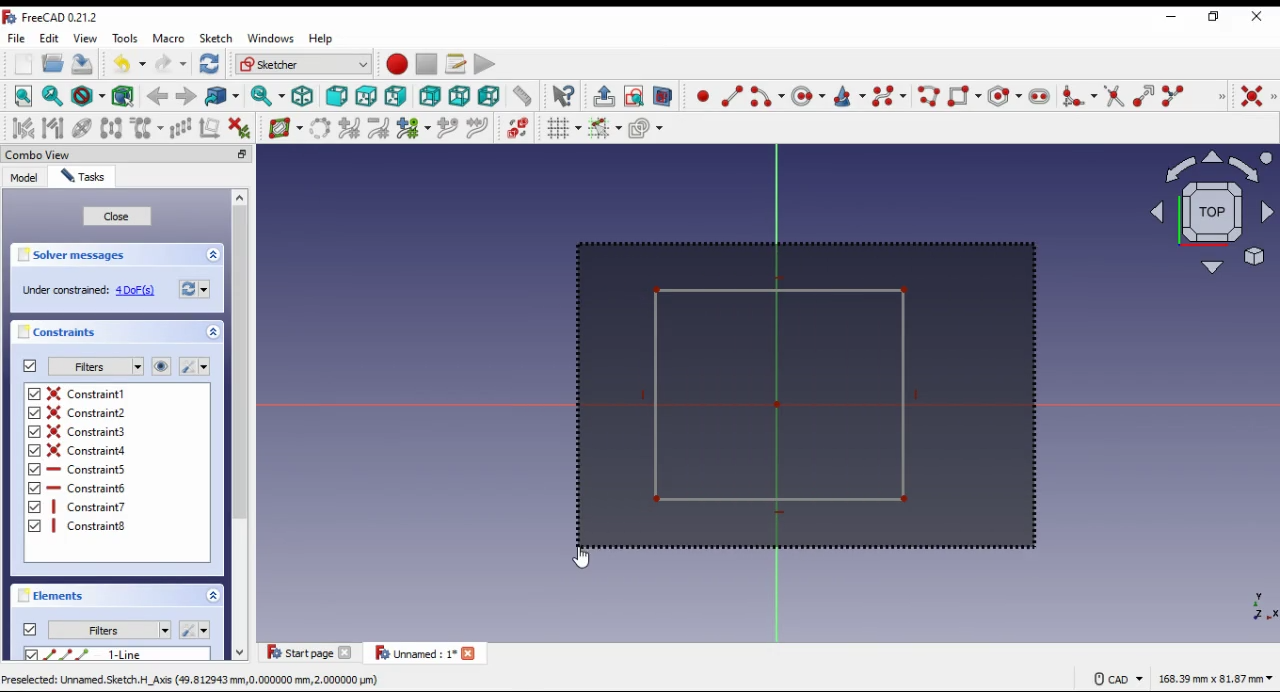  Describe the element at coordinates (217, 39) in the screenshot. I see `sketch` at that location.